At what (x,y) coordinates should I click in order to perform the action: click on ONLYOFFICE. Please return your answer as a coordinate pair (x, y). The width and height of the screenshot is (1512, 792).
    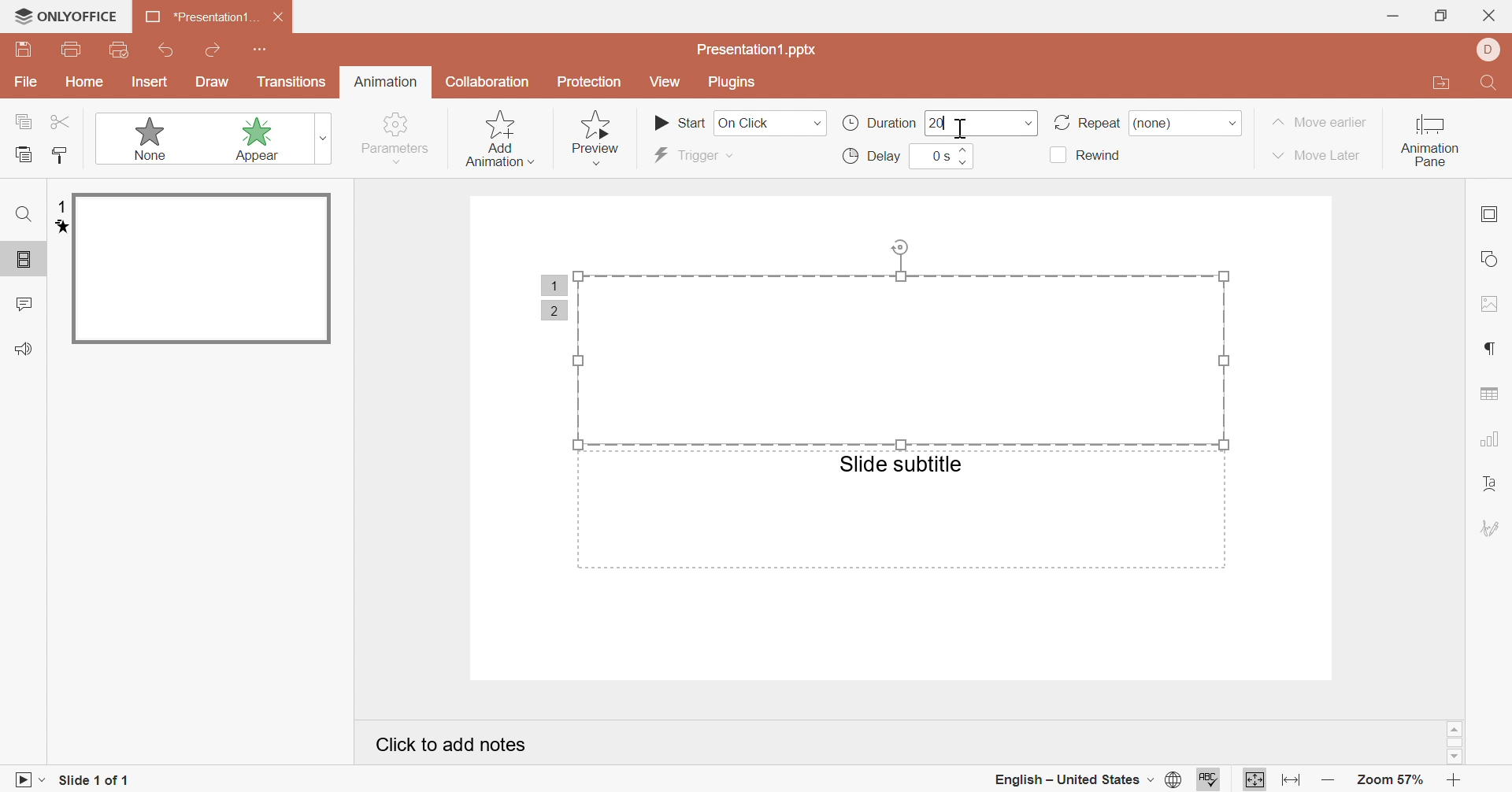
    Looking at the image, I should click on (66, 15).